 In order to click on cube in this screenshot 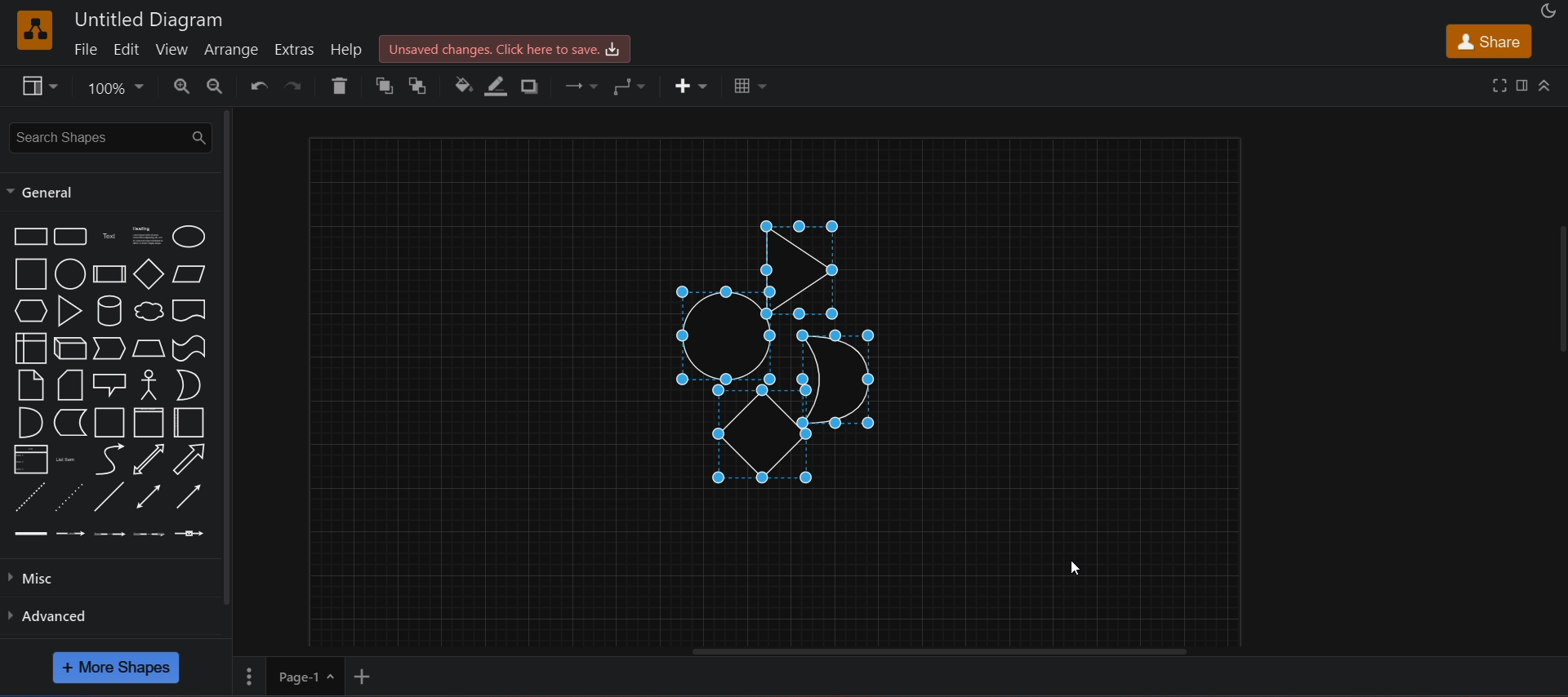, I will do `click(68, 348)`.